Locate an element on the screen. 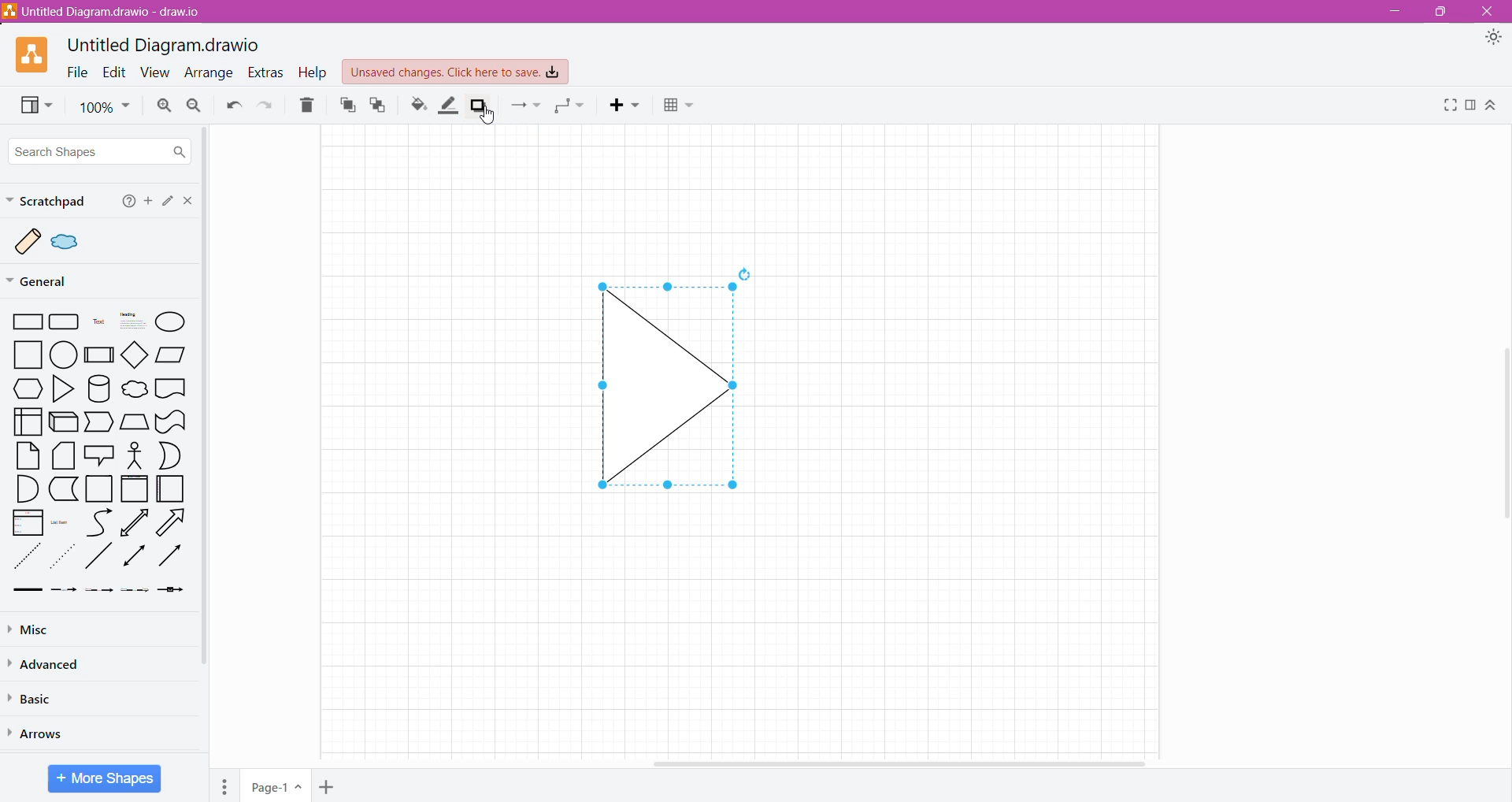 Image resolution: width=1512 pixels, height=802 pixels. Close is located at coordinates (187, 200).